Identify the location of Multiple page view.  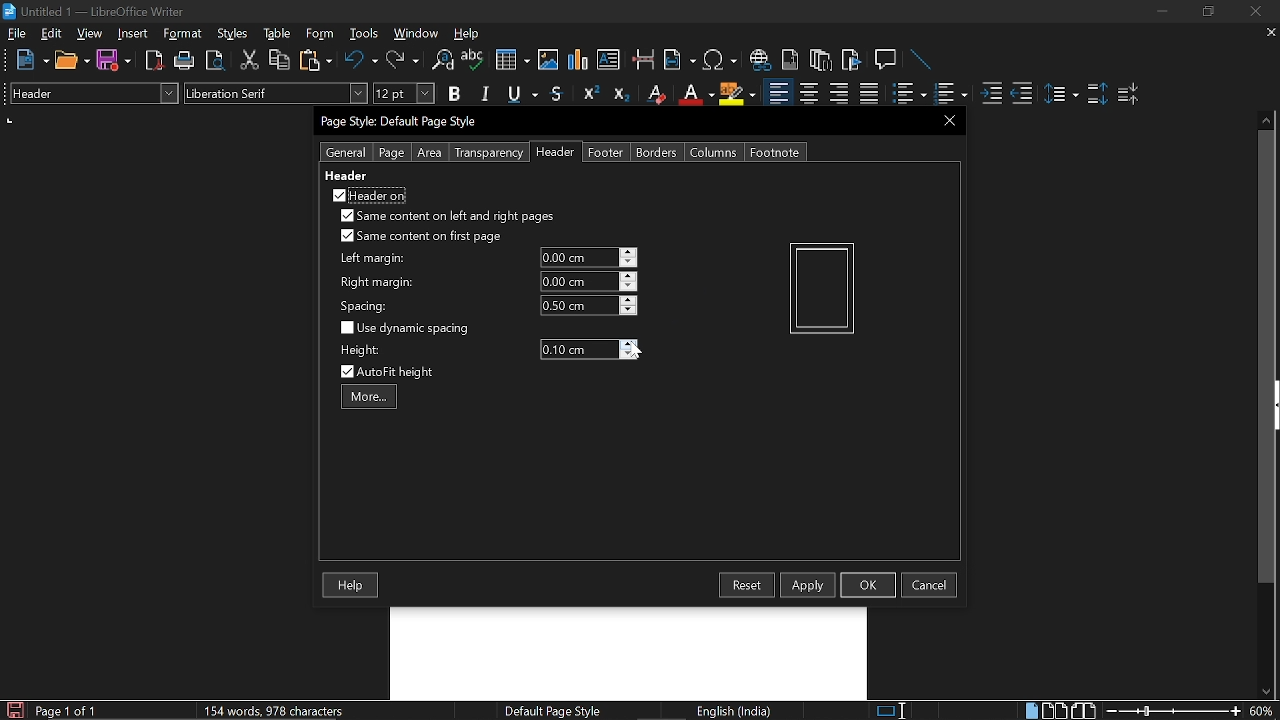
(1054, 711).